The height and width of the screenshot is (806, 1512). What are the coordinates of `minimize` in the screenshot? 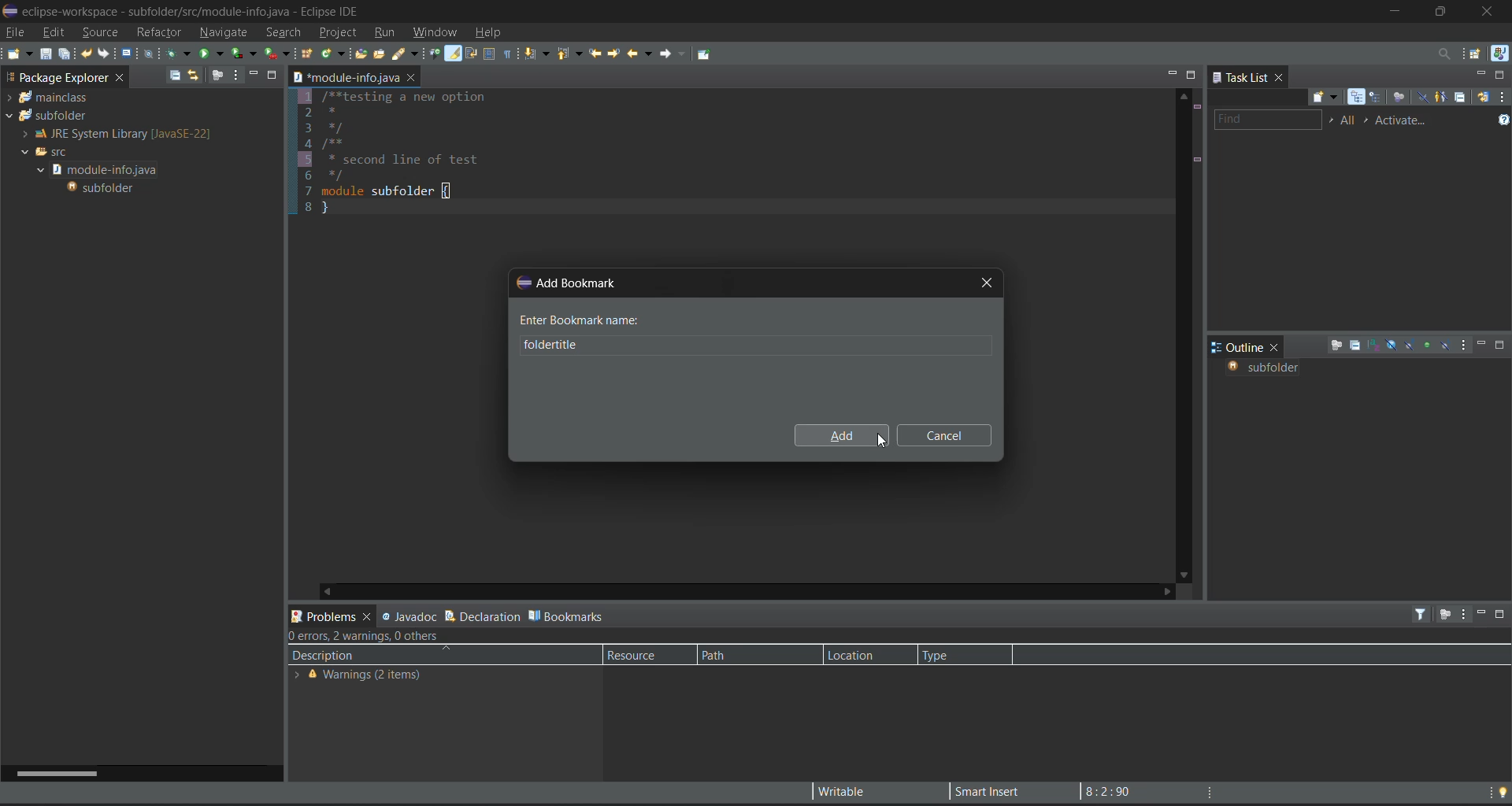 It's located at (1481, 74).